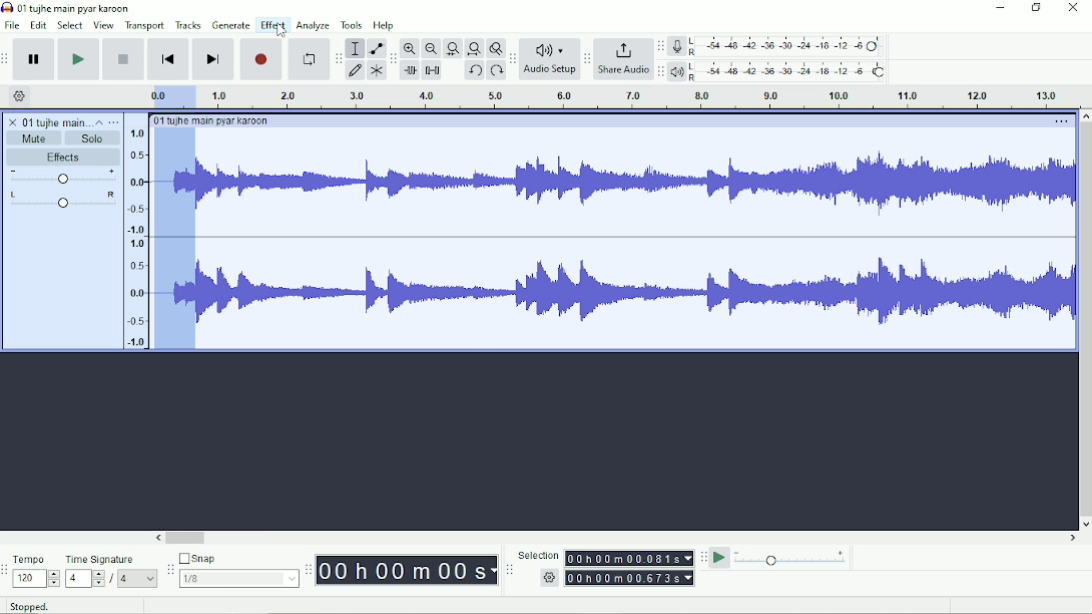 This screenshot has height=614, width=1092. Describe the element at coordinates (721, 558) in the screenshot. I see `Play-at-speed` at that location.